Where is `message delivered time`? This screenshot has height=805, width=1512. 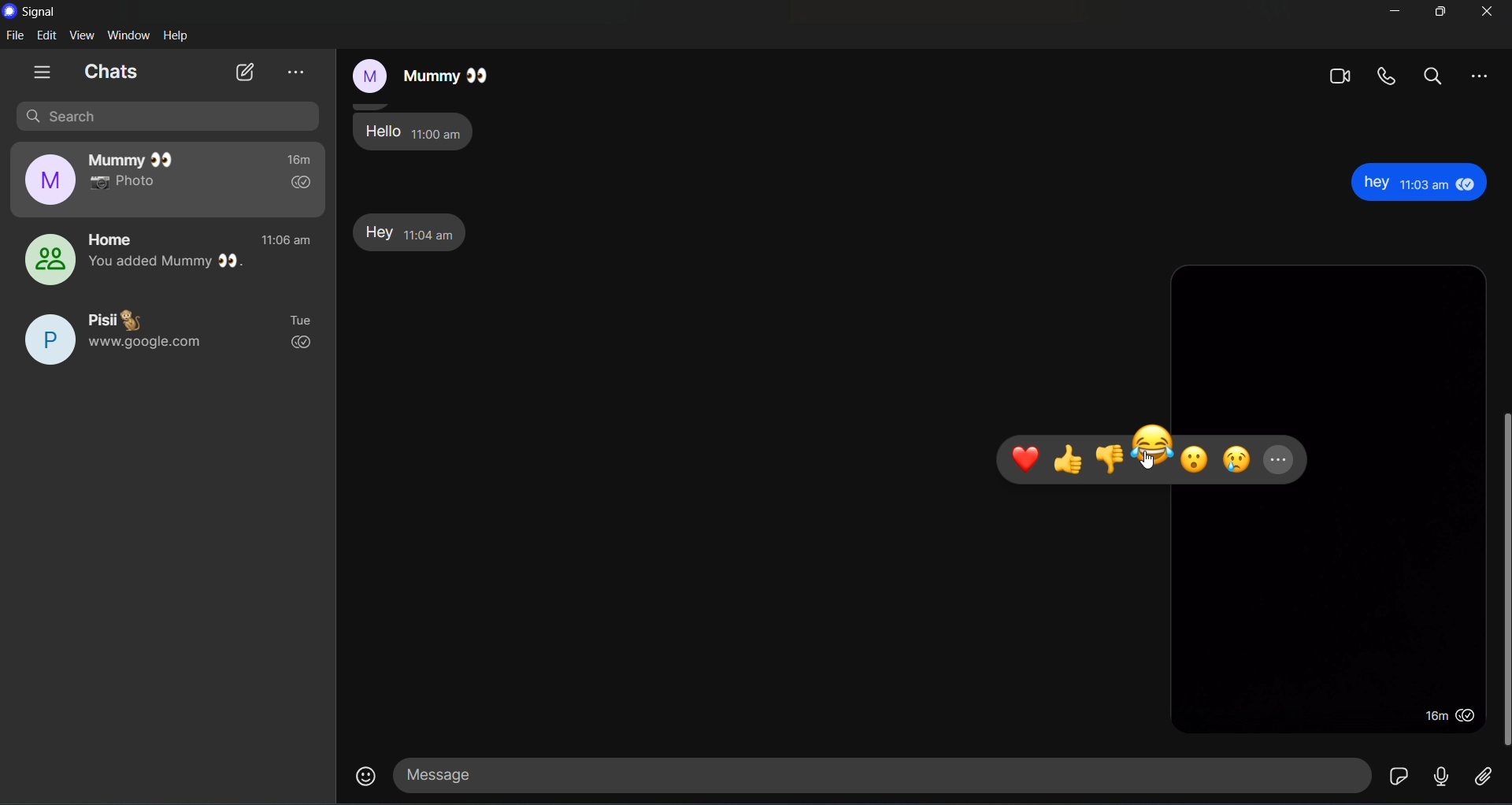
message delivered time is located at coordinates (1448, 717).